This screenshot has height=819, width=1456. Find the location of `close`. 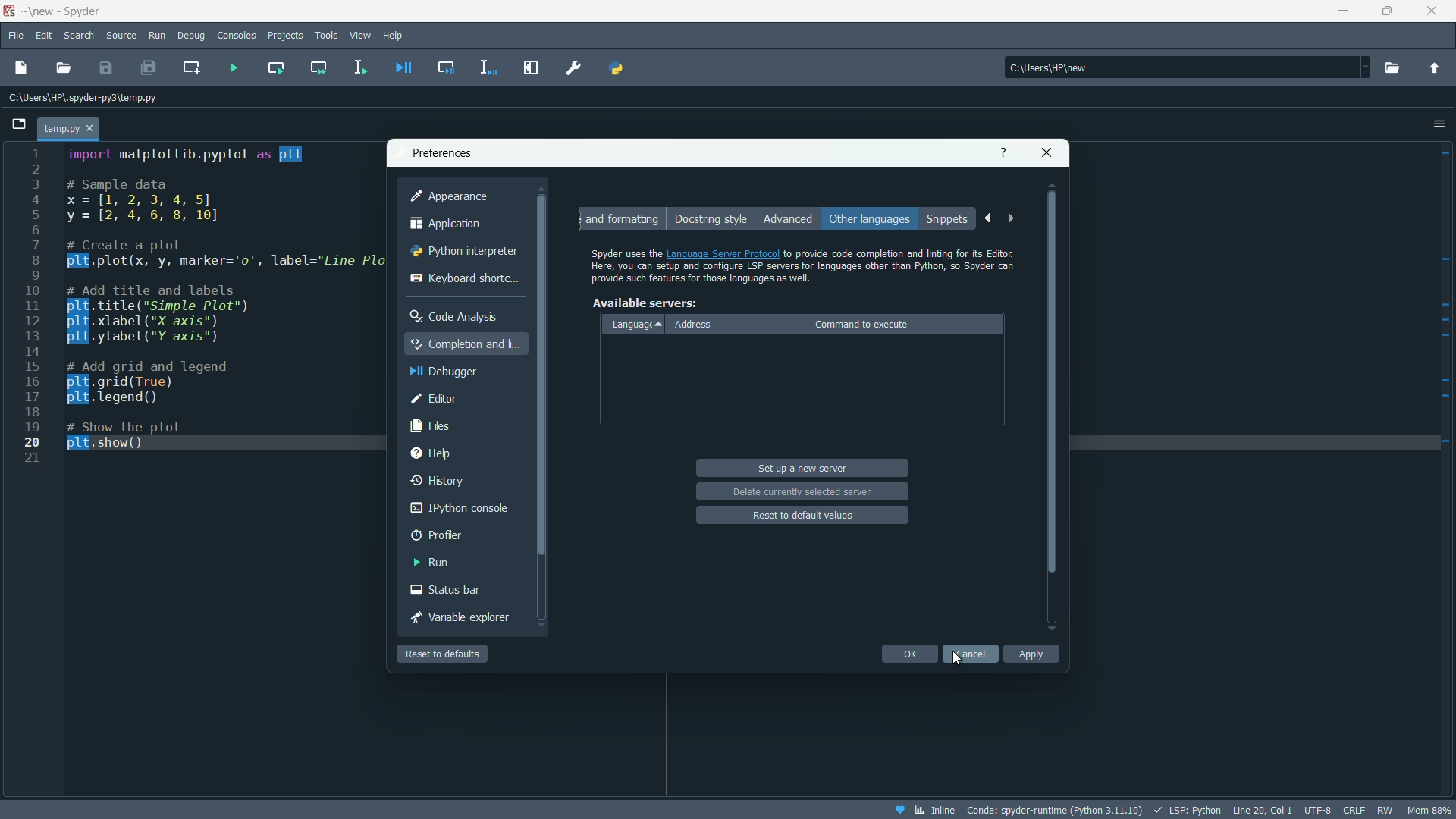

close is located at coordinates (1048, 151).